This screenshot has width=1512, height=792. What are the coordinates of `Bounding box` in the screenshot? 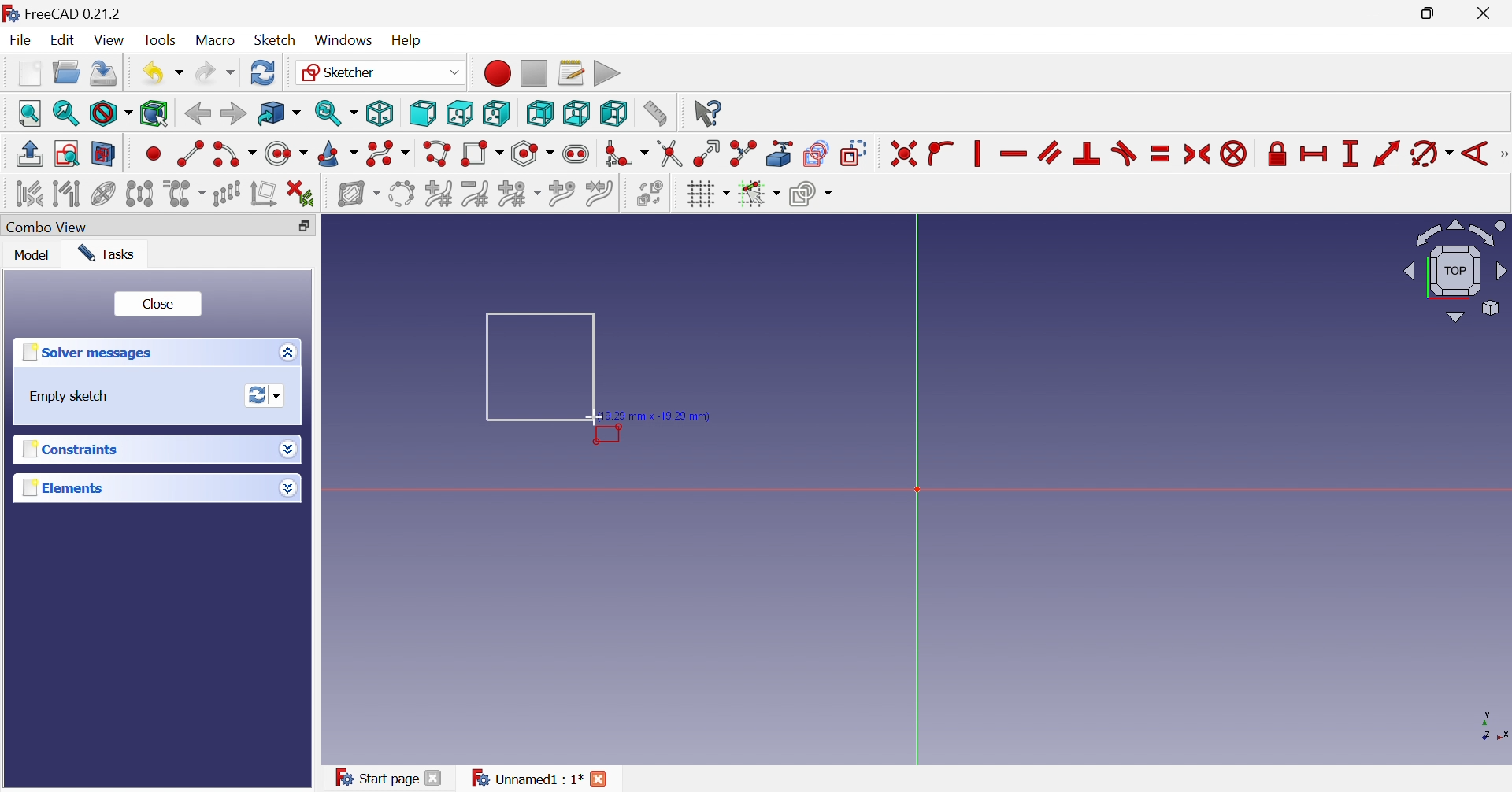 It's located at (154, 114).